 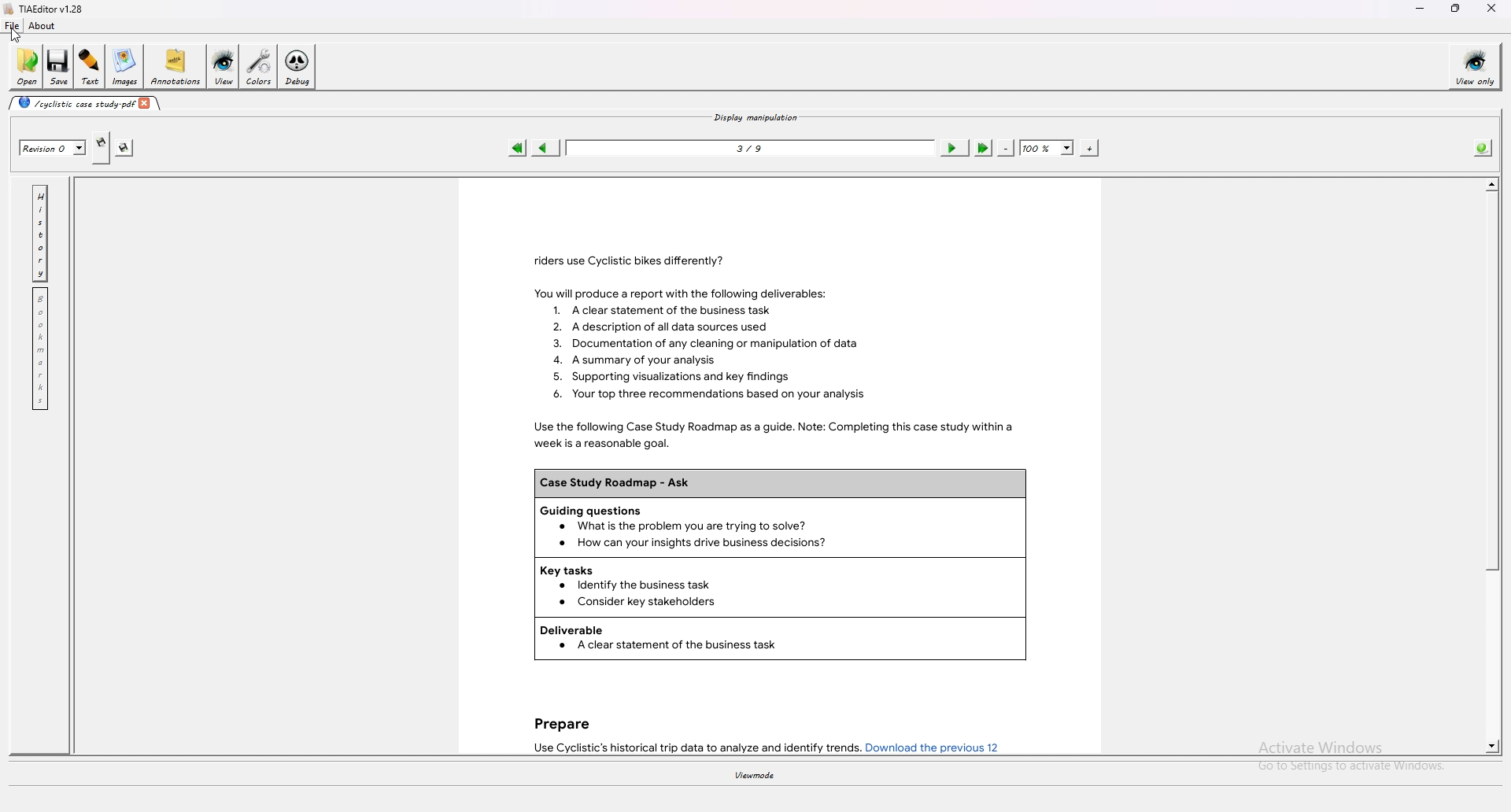 I want to click on first page, so click(x=518, y=147).